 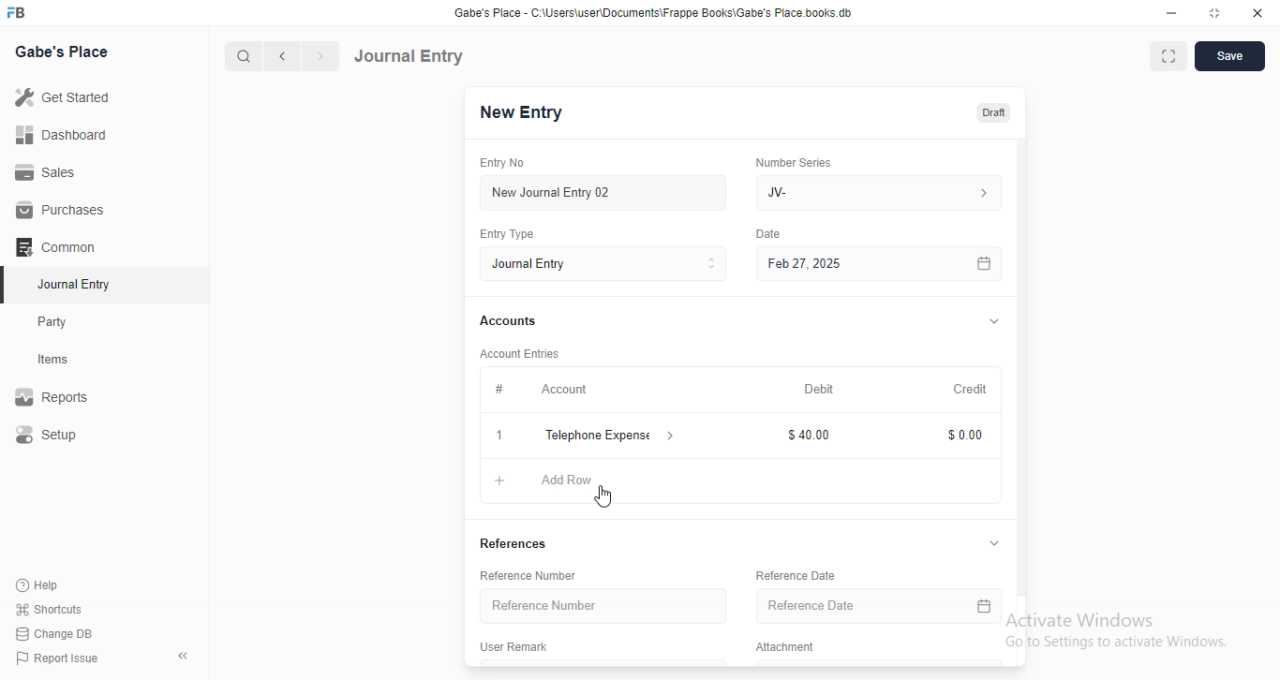 I want to click on ' Shortcuts, so click(x=50, y=608).